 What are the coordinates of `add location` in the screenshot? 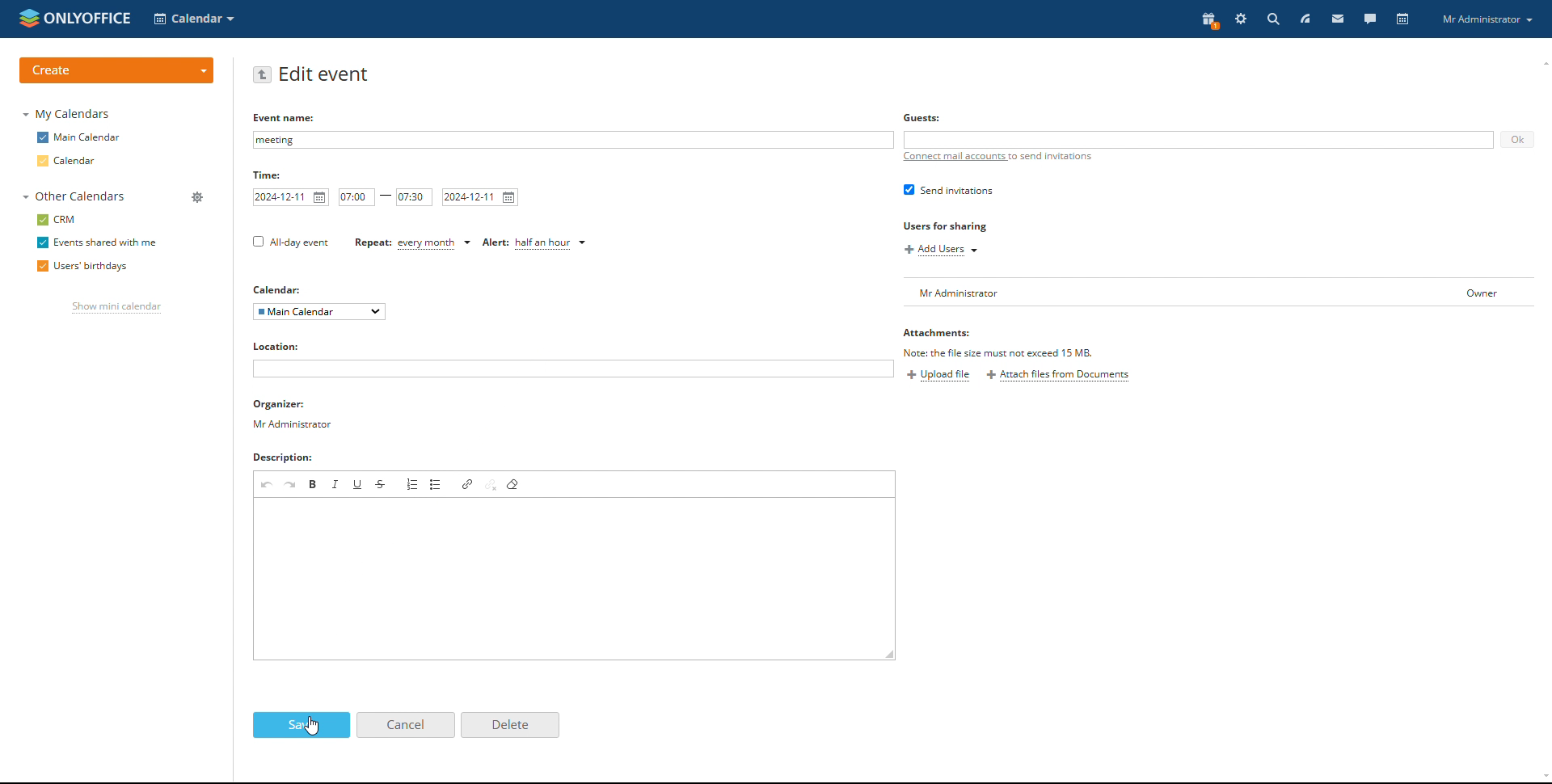 It's located at (573, 369).